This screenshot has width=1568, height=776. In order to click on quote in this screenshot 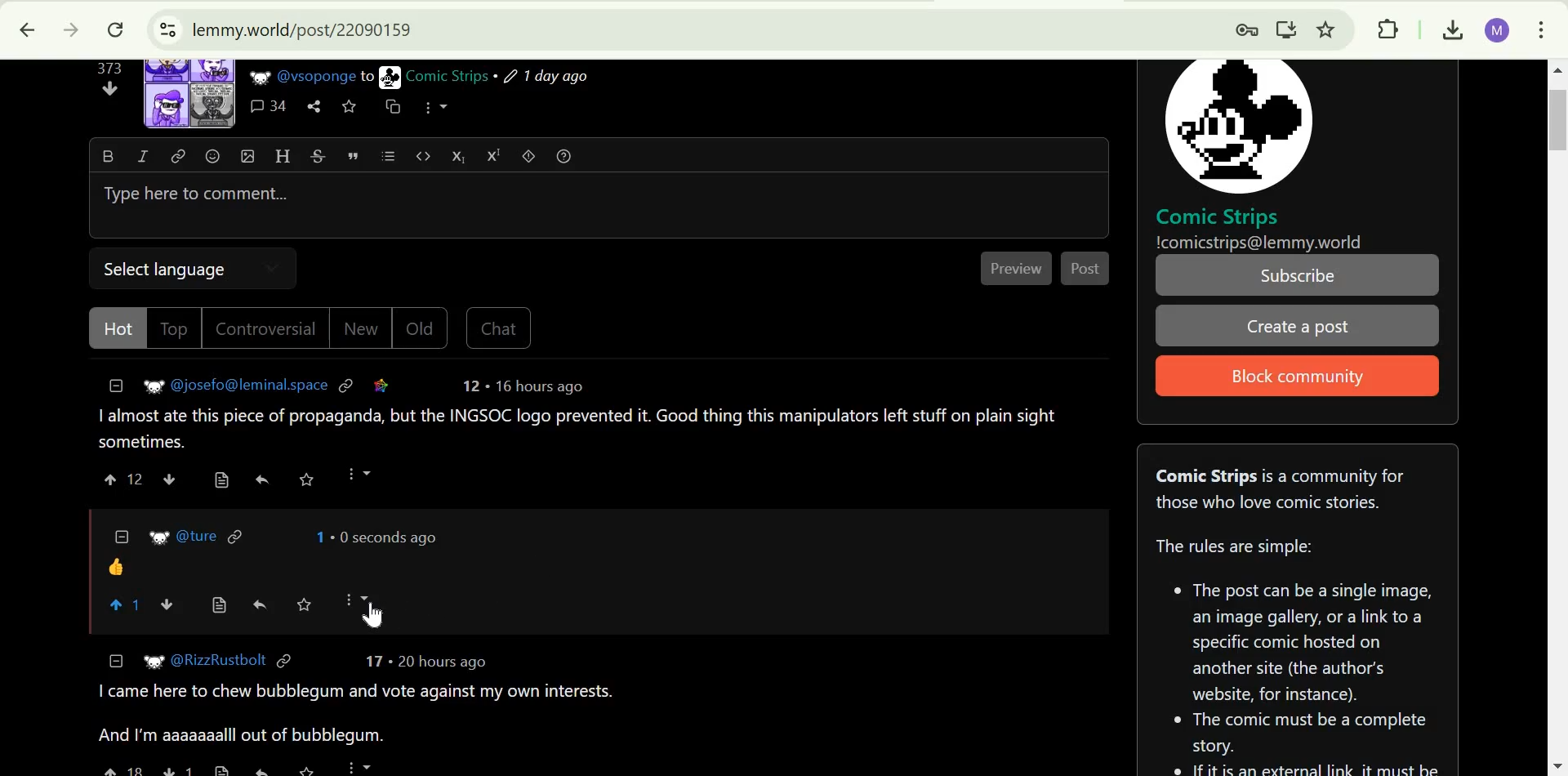, I will do `click(354, 155)`.